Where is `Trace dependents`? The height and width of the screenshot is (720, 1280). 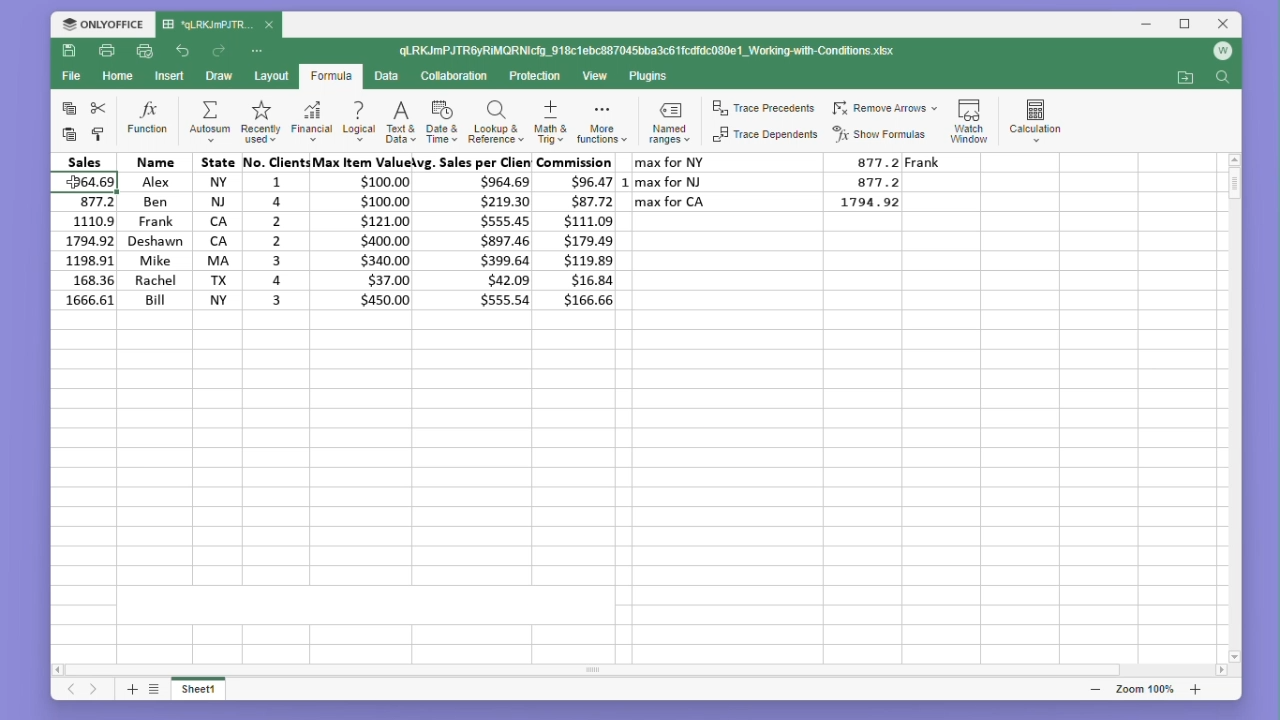 Trace dependents is located at coordinates (766, 135).